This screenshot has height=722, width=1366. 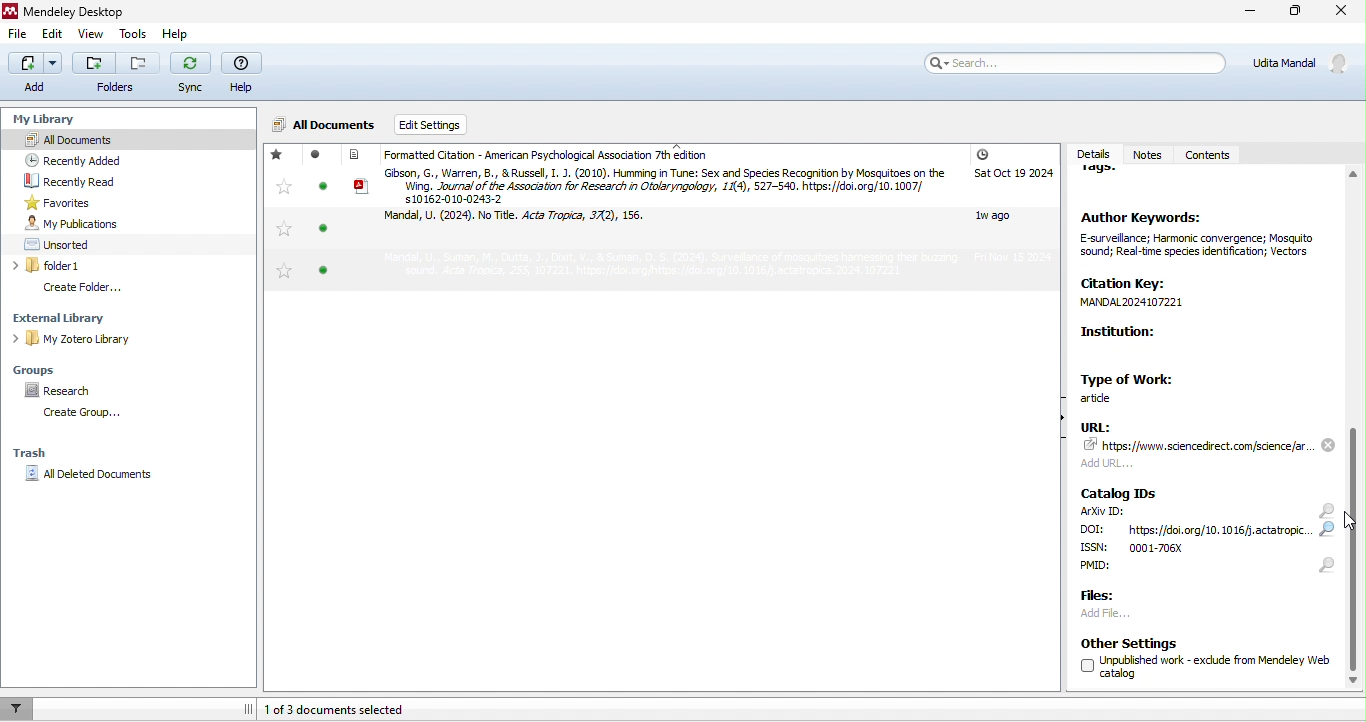 What do you see at coordinates (1161, 548) in the screenshot?
I see `ISSN` at bounding box center [1161, 548].